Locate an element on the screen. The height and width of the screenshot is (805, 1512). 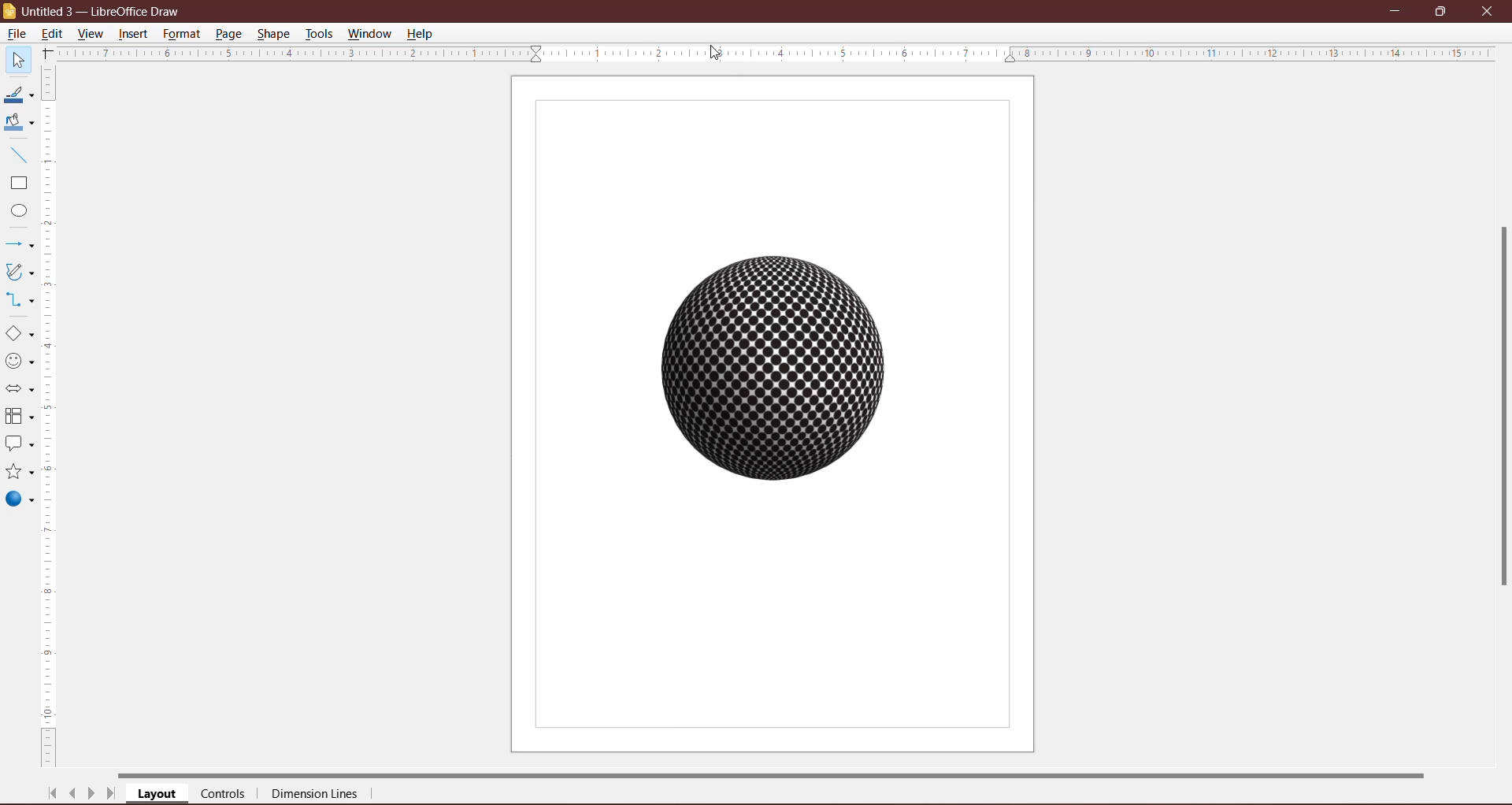
Shape is located at coordinates (275, 32).